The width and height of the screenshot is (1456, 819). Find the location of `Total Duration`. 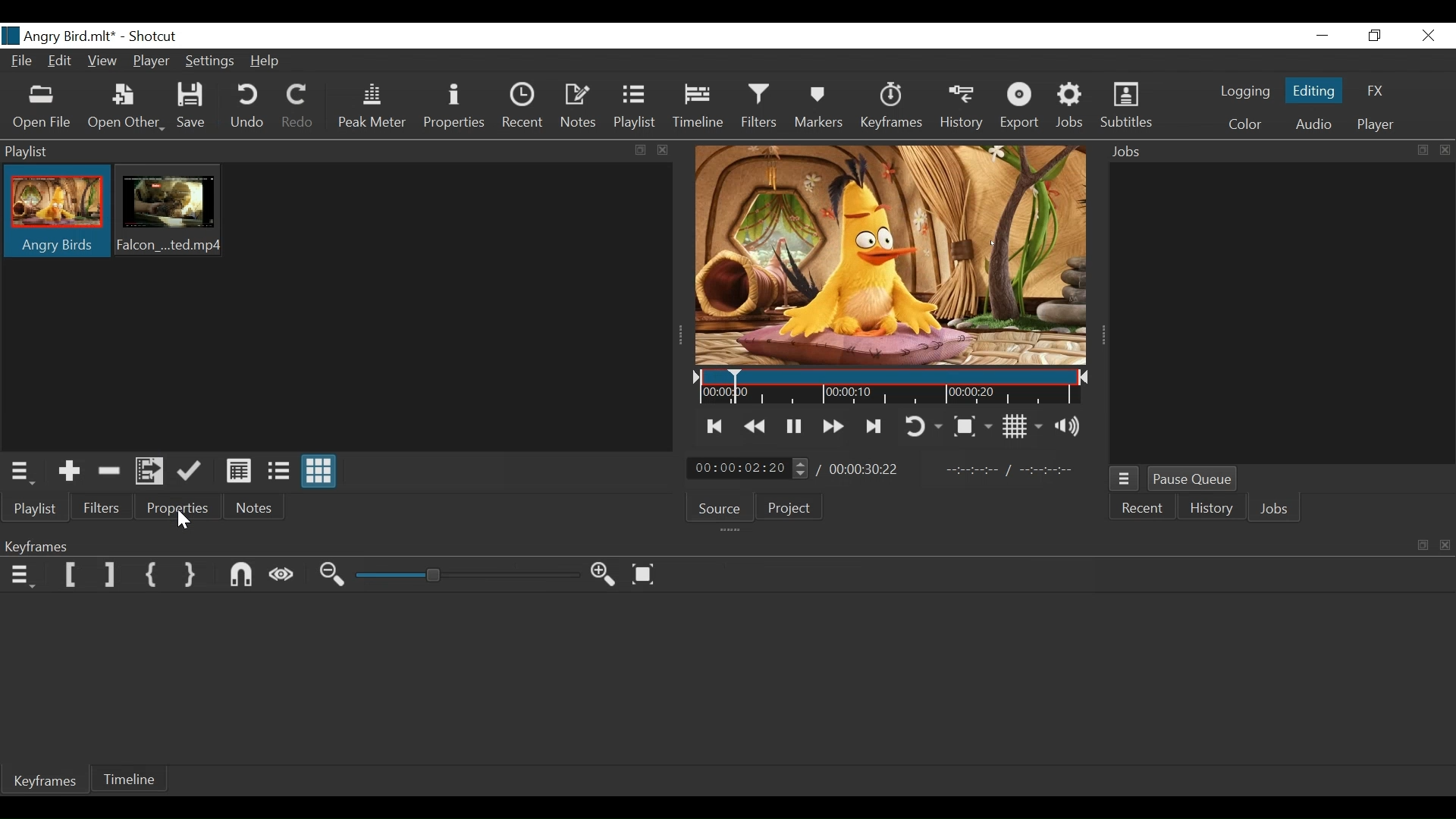

Total Duration is located at coordinates (866, 469).